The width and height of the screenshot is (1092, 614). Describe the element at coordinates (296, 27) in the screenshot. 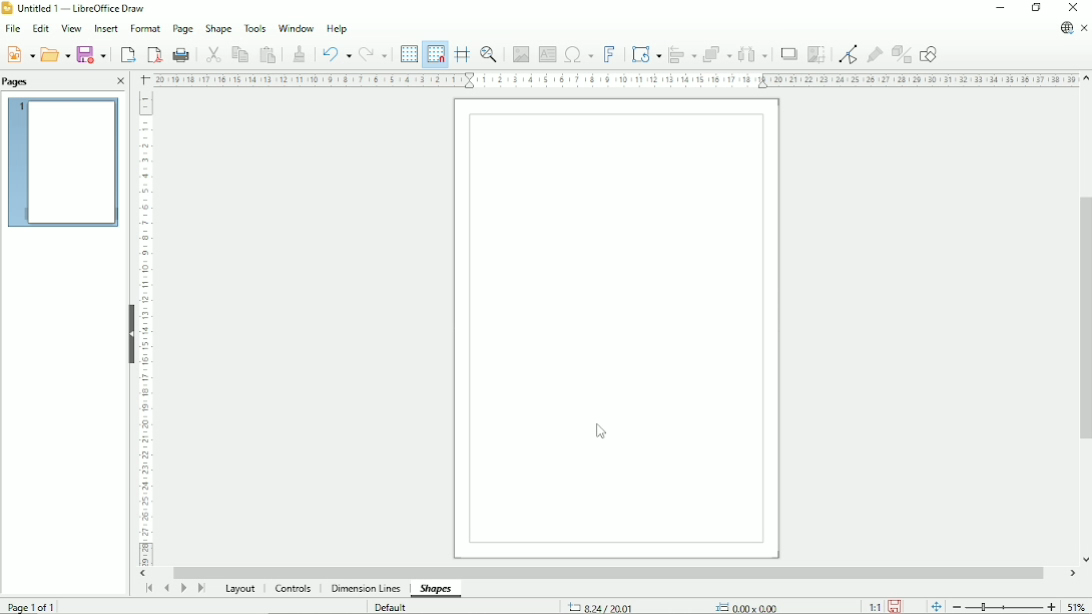

I see `Window` at that location.